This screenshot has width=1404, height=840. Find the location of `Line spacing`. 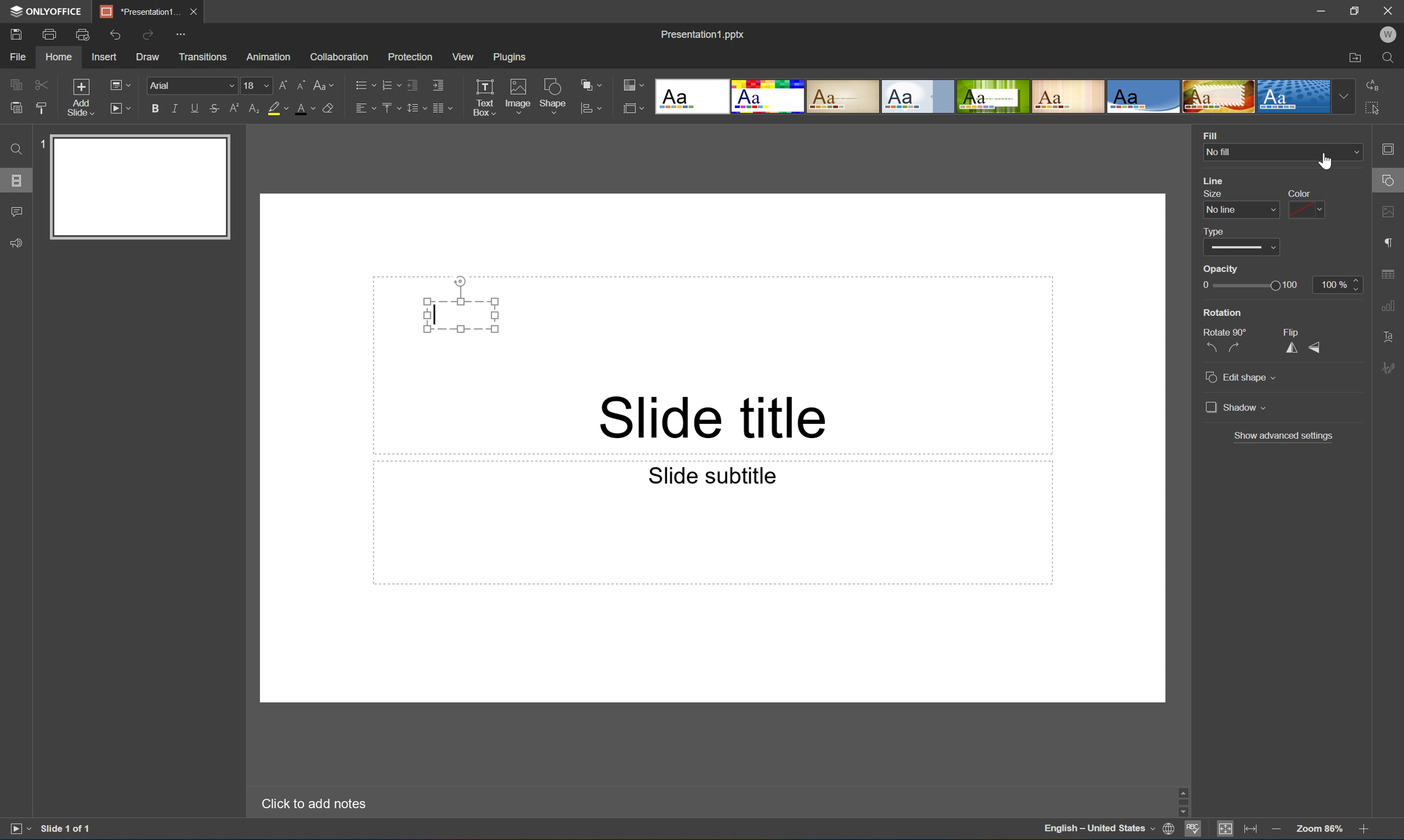

Line spacing is located at coordinates (415, 108).